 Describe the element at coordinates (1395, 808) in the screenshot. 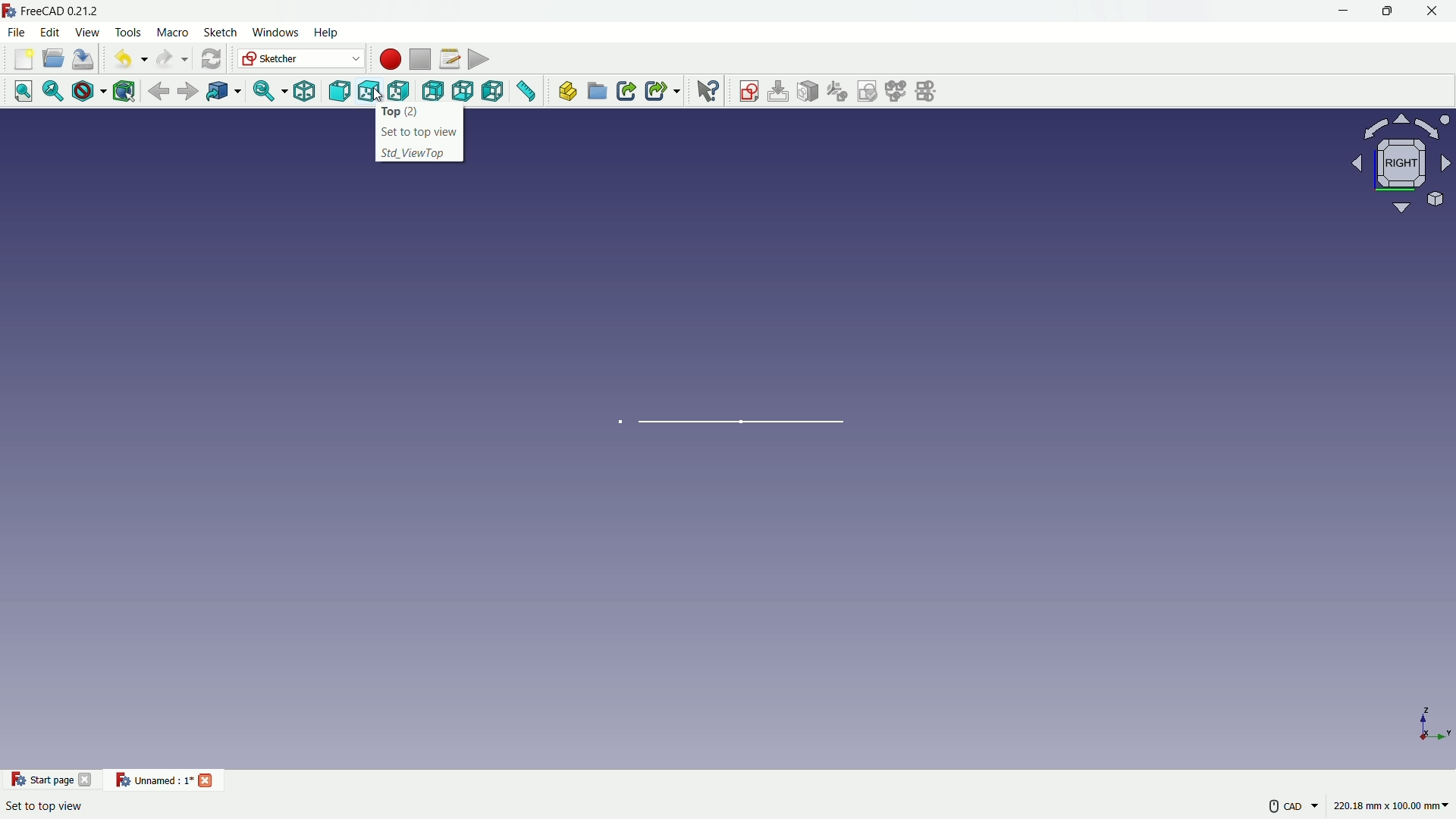

I see `units` at that location.